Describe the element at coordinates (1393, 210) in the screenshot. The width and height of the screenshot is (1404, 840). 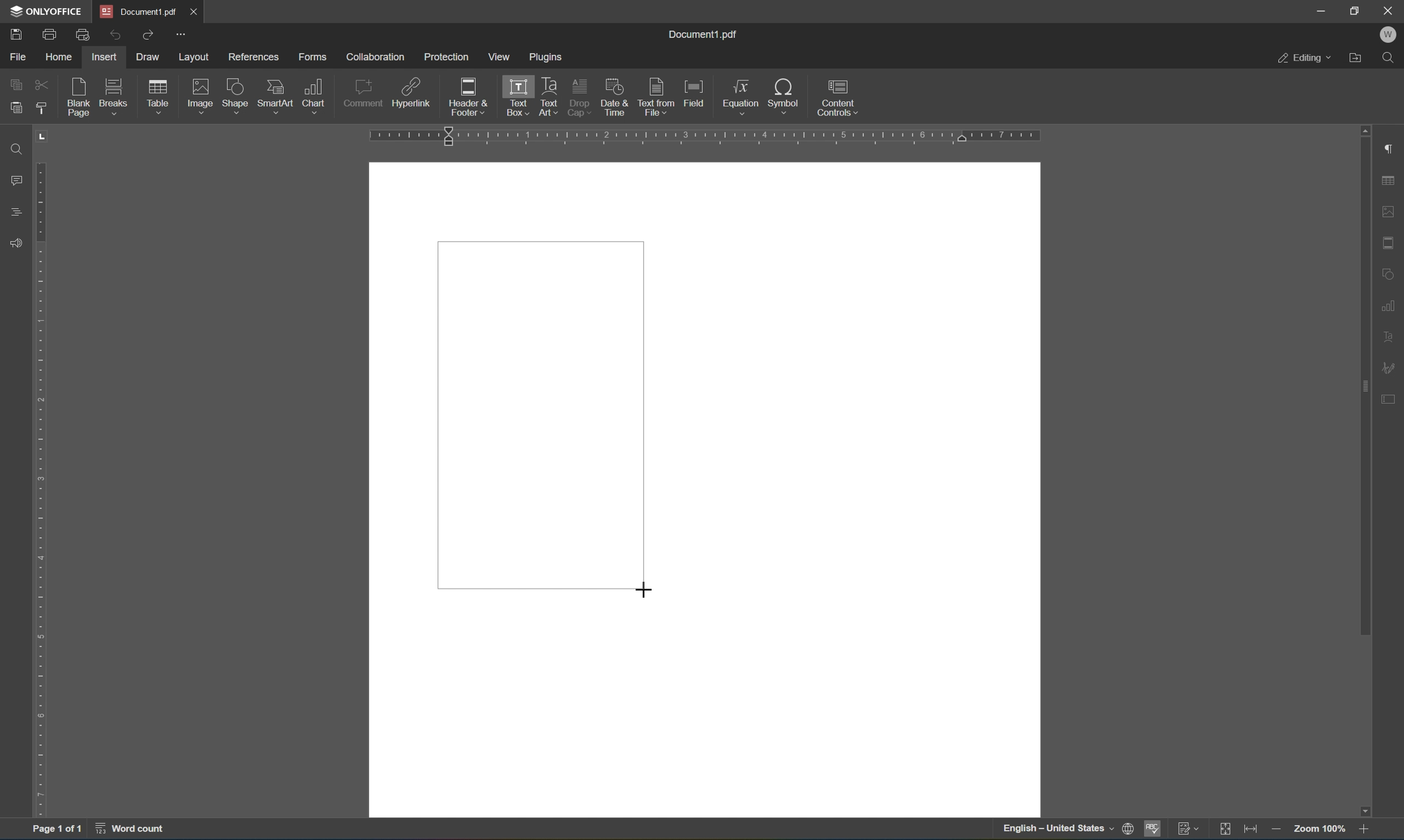
I see `Image settings` at that location.